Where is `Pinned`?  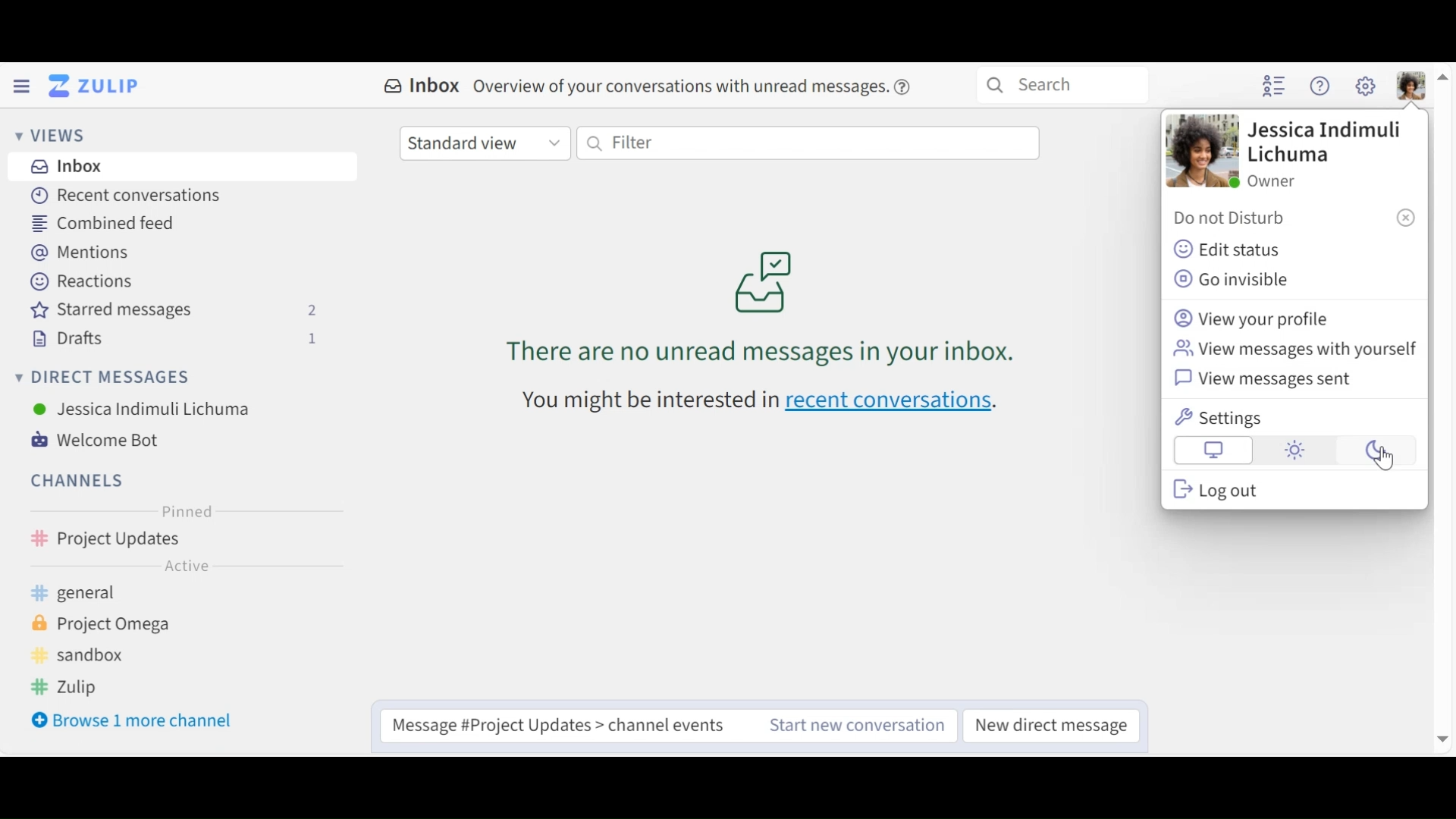
Pinned is located at coordinates (186, 513).